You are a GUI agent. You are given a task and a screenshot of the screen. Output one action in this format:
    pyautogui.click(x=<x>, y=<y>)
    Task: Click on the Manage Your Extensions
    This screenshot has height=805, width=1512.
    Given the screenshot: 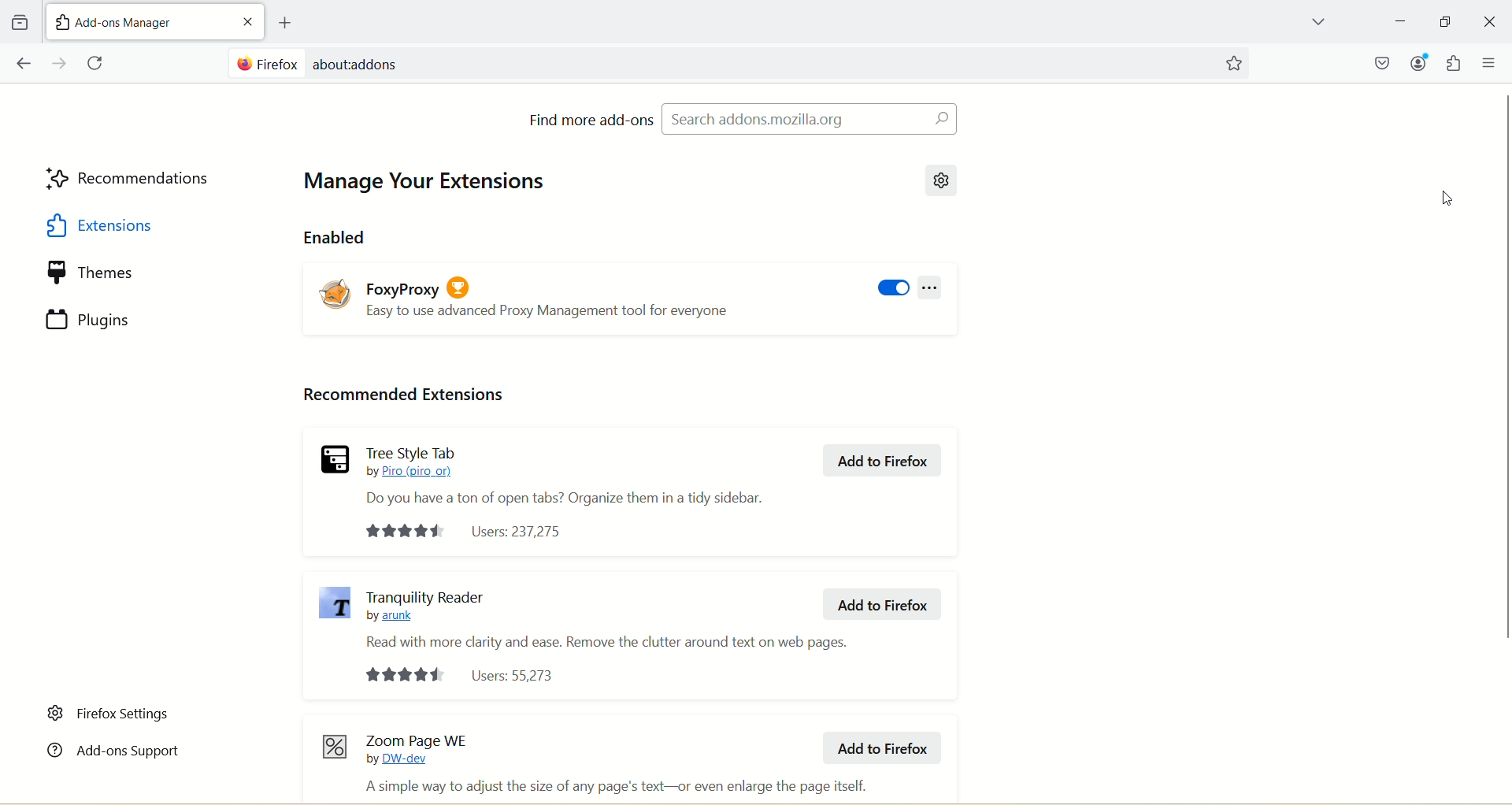 What is the action you would take?
    pyautogui.click(x=435, y=184)
    